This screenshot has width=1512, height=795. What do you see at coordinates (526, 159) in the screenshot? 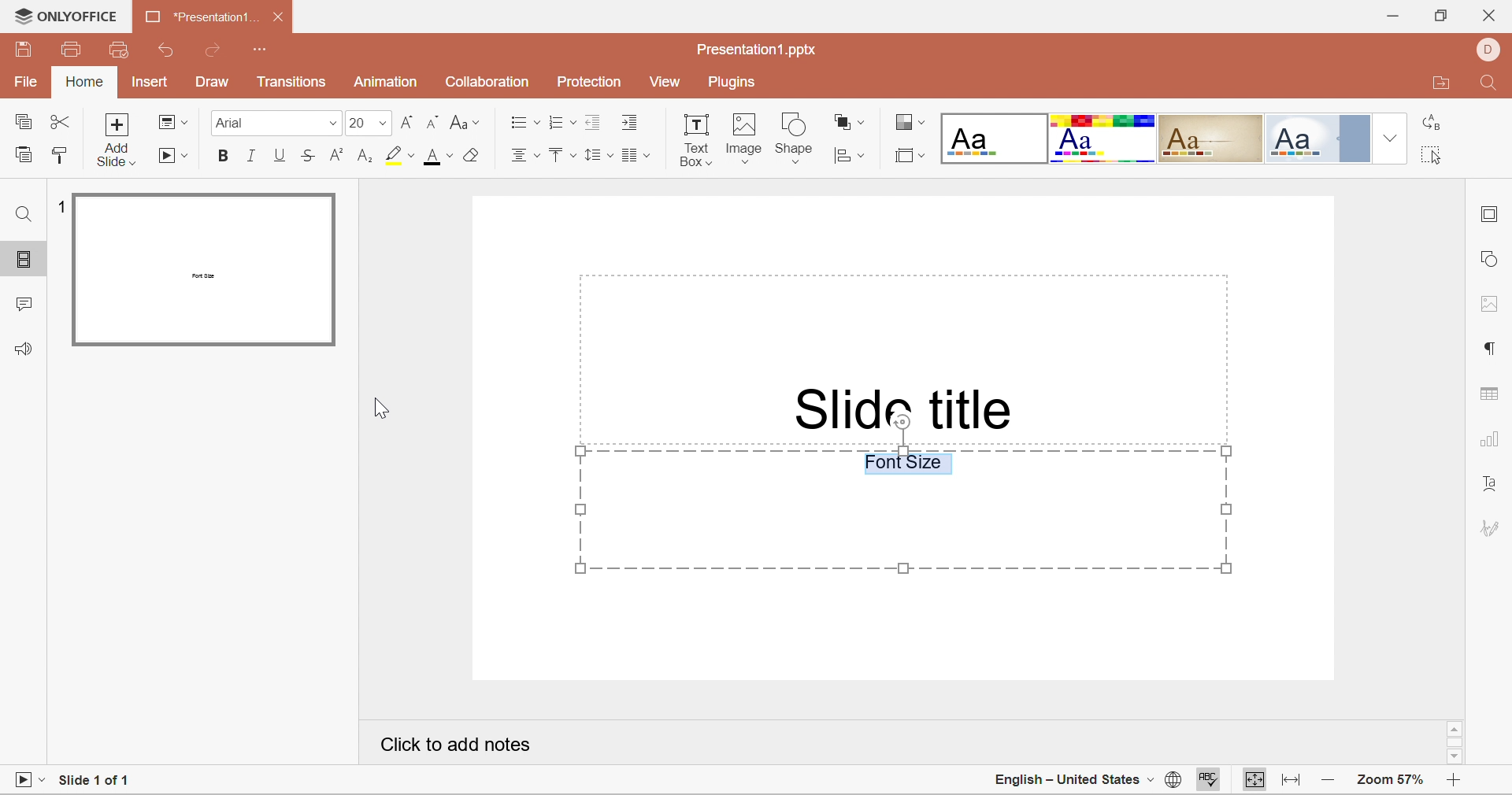
I see `Align center` at bounding box center [526, 159].